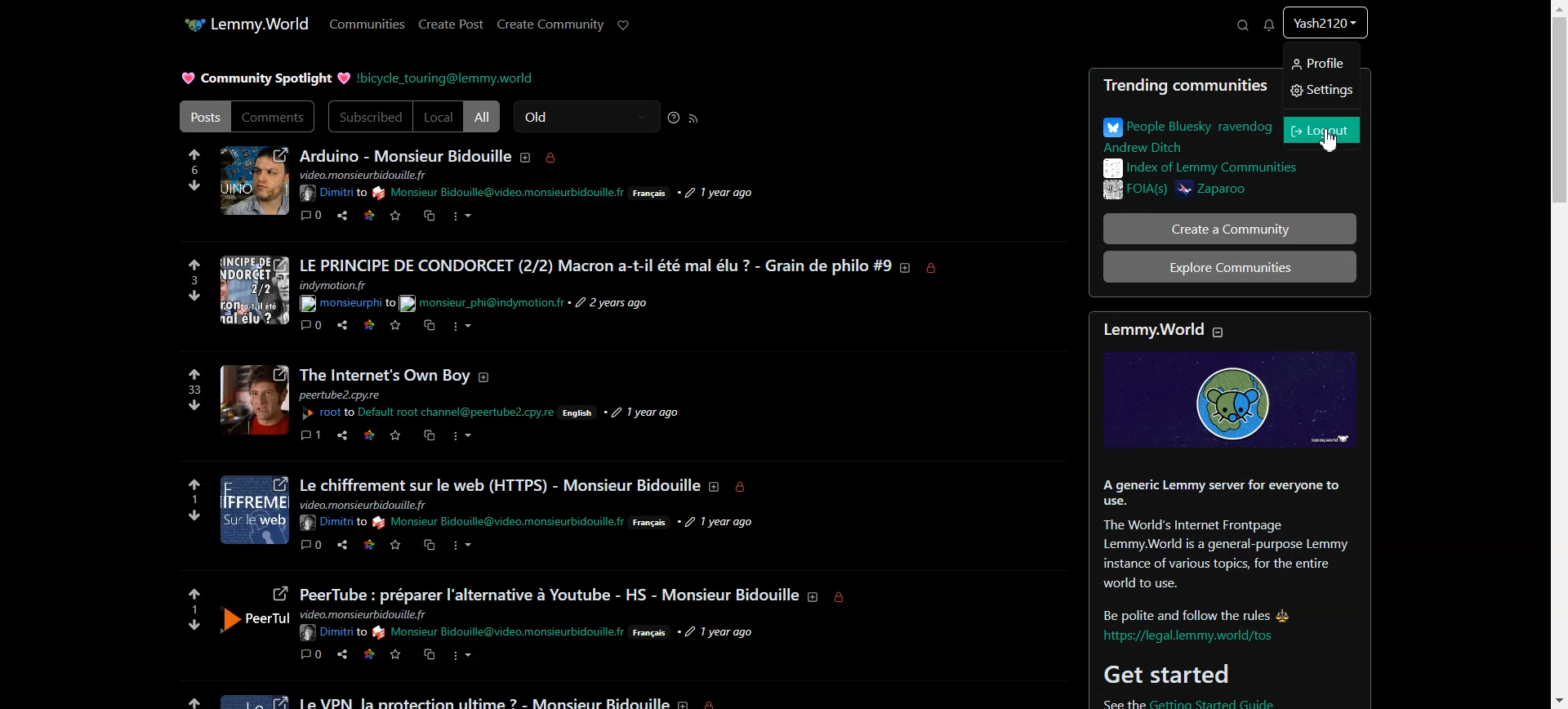 Image resolution: width=1568 pixels, height=709 pixels. I want to click on All, so click(482, 116).